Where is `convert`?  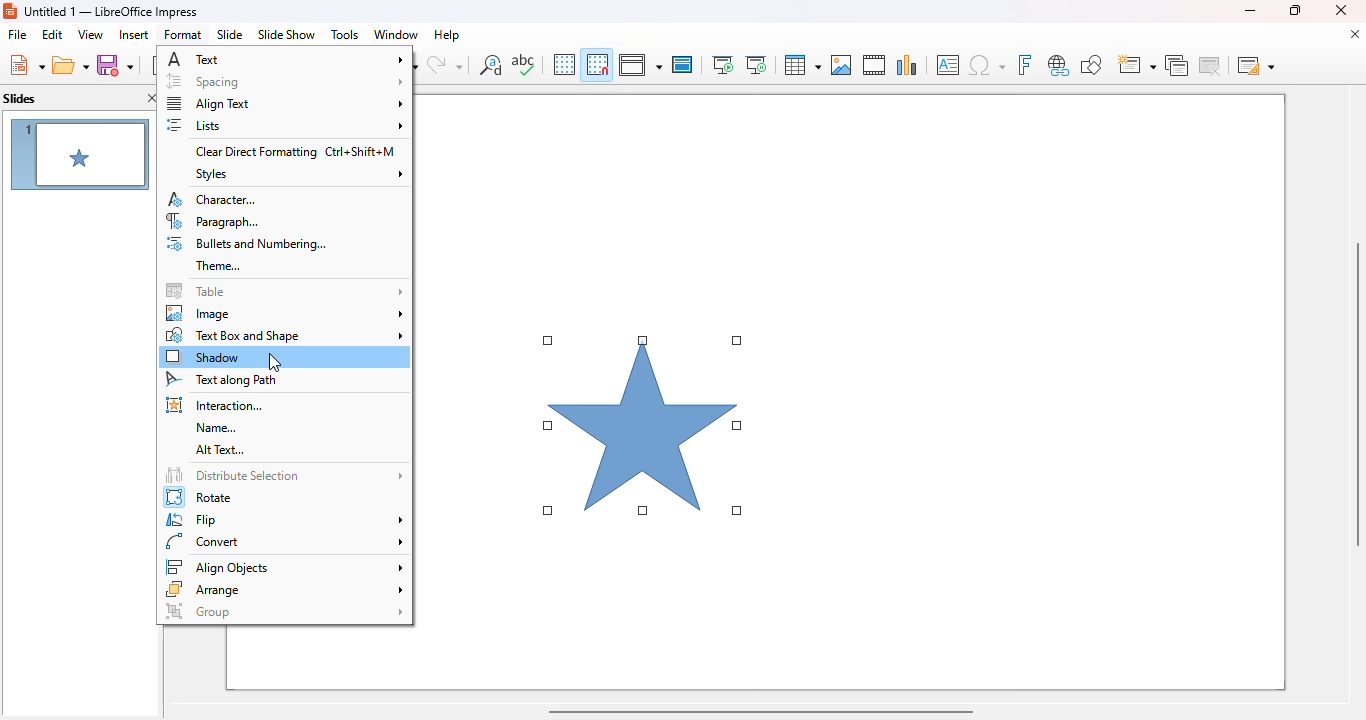 convert is located at coordinates (285, 543).